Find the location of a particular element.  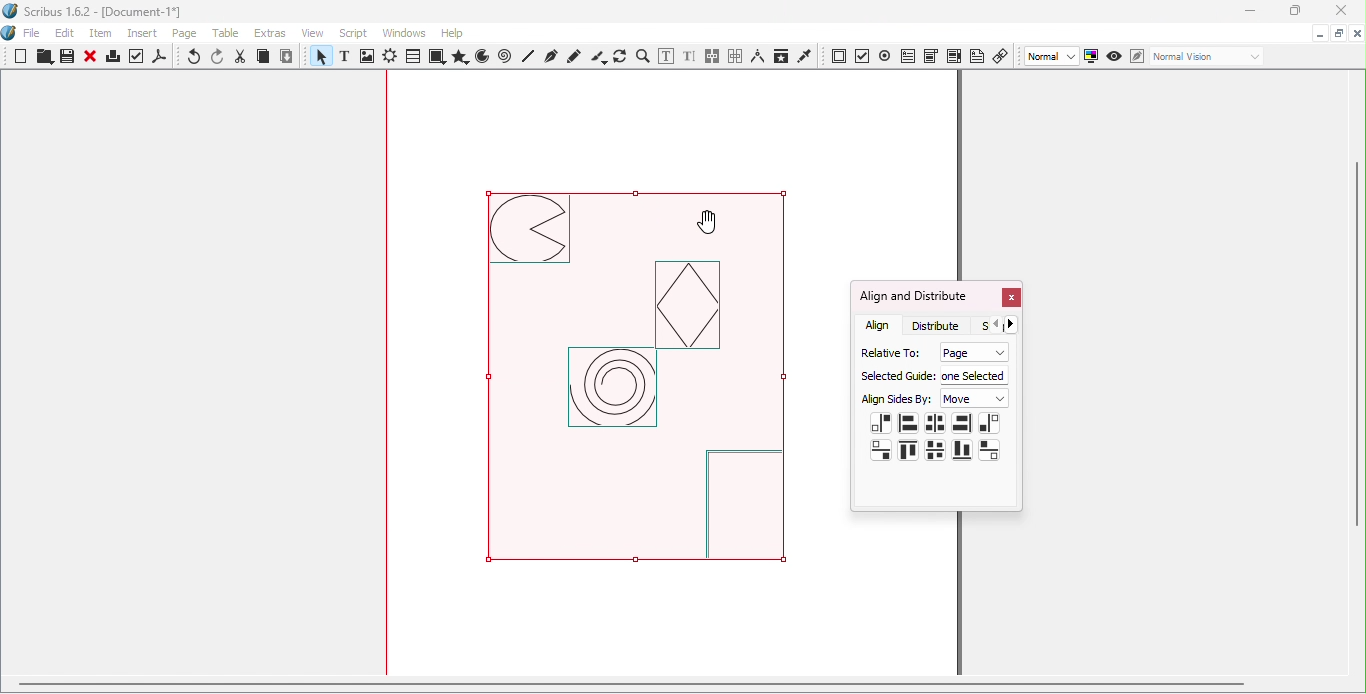

Page is located at coordinates (971, 352).